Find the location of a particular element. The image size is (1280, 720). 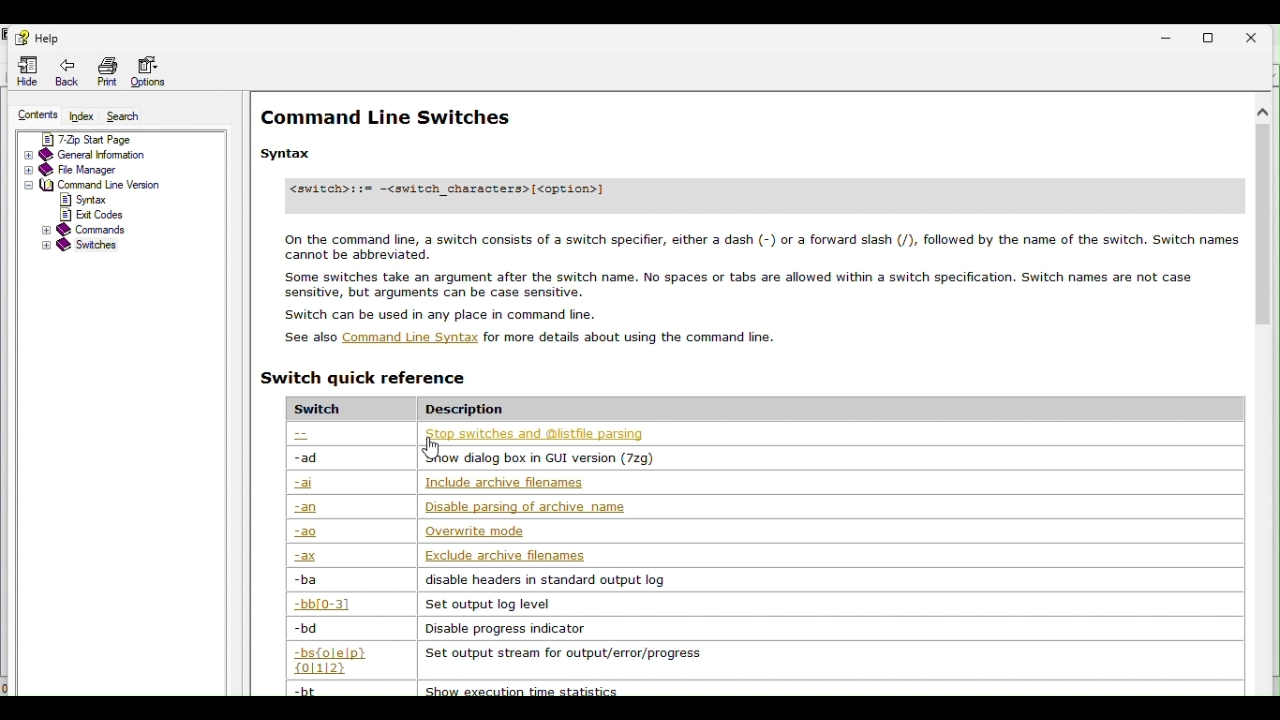

General information is located at coordinates (123, 154).